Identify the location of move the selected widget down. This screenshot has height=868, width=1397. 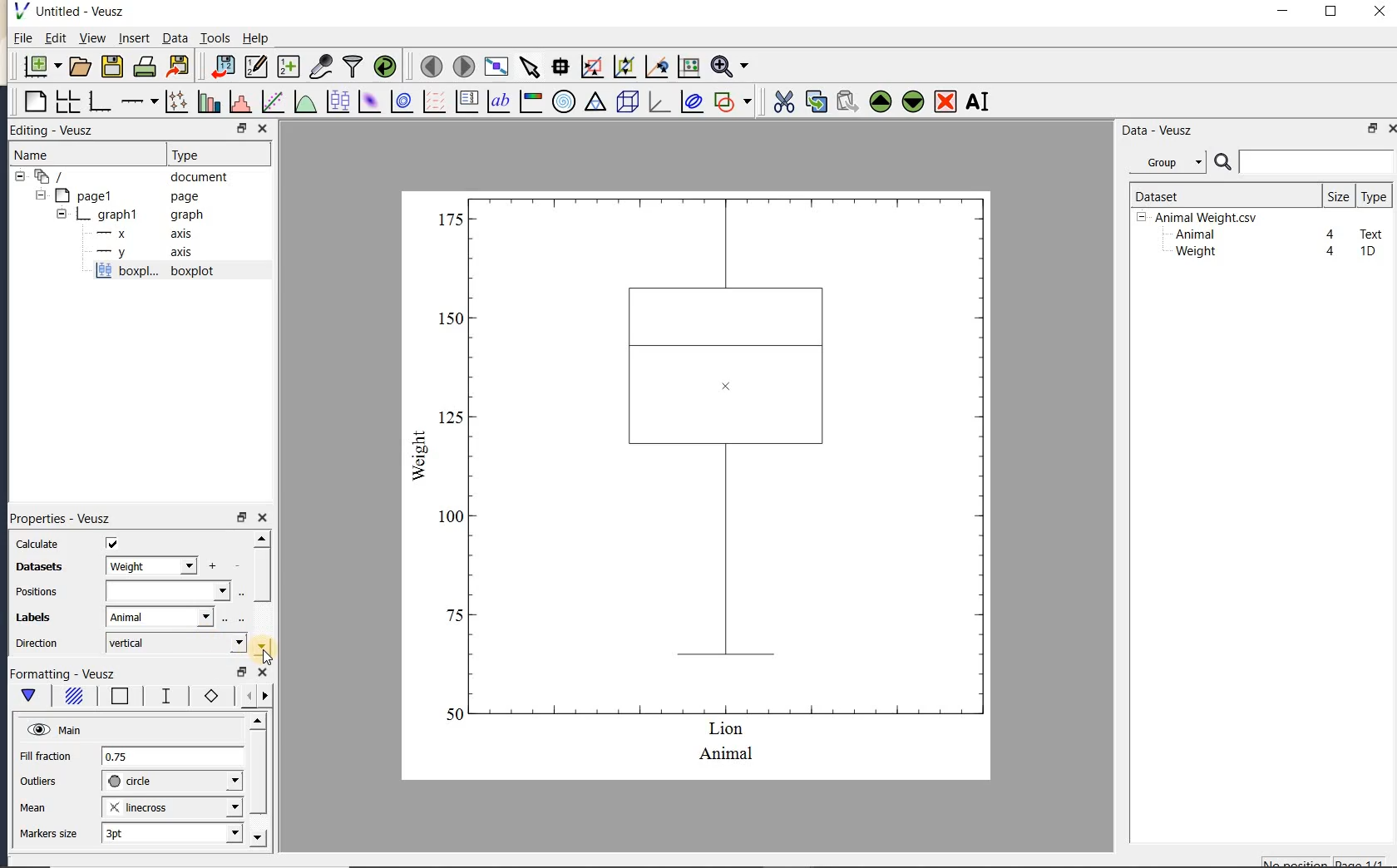
(913, 101).